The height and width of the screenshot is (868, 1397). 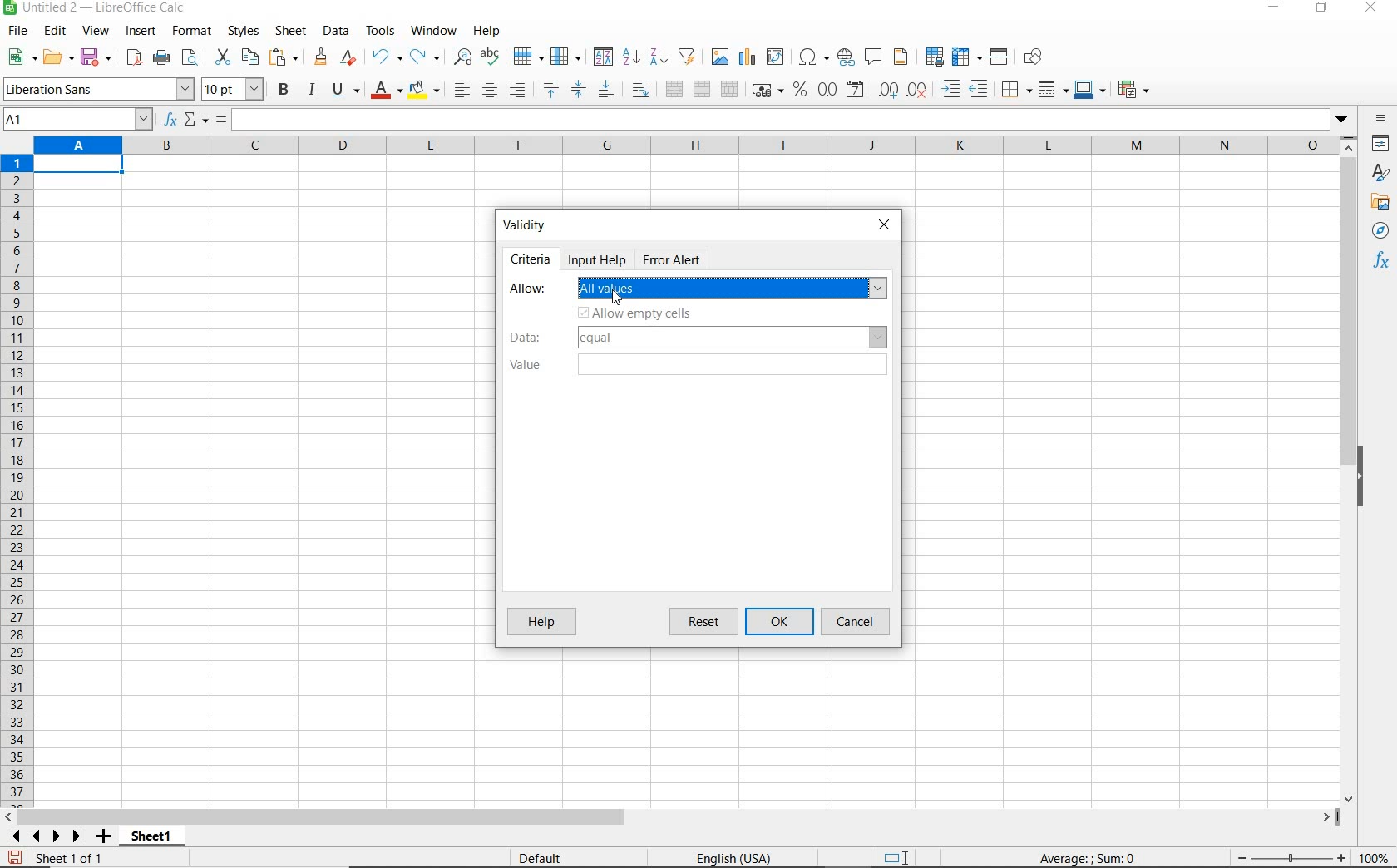 What do you see at coordinates (492, 57) in the screenshot?
I see `spelling` at bounding box center [492, 57].